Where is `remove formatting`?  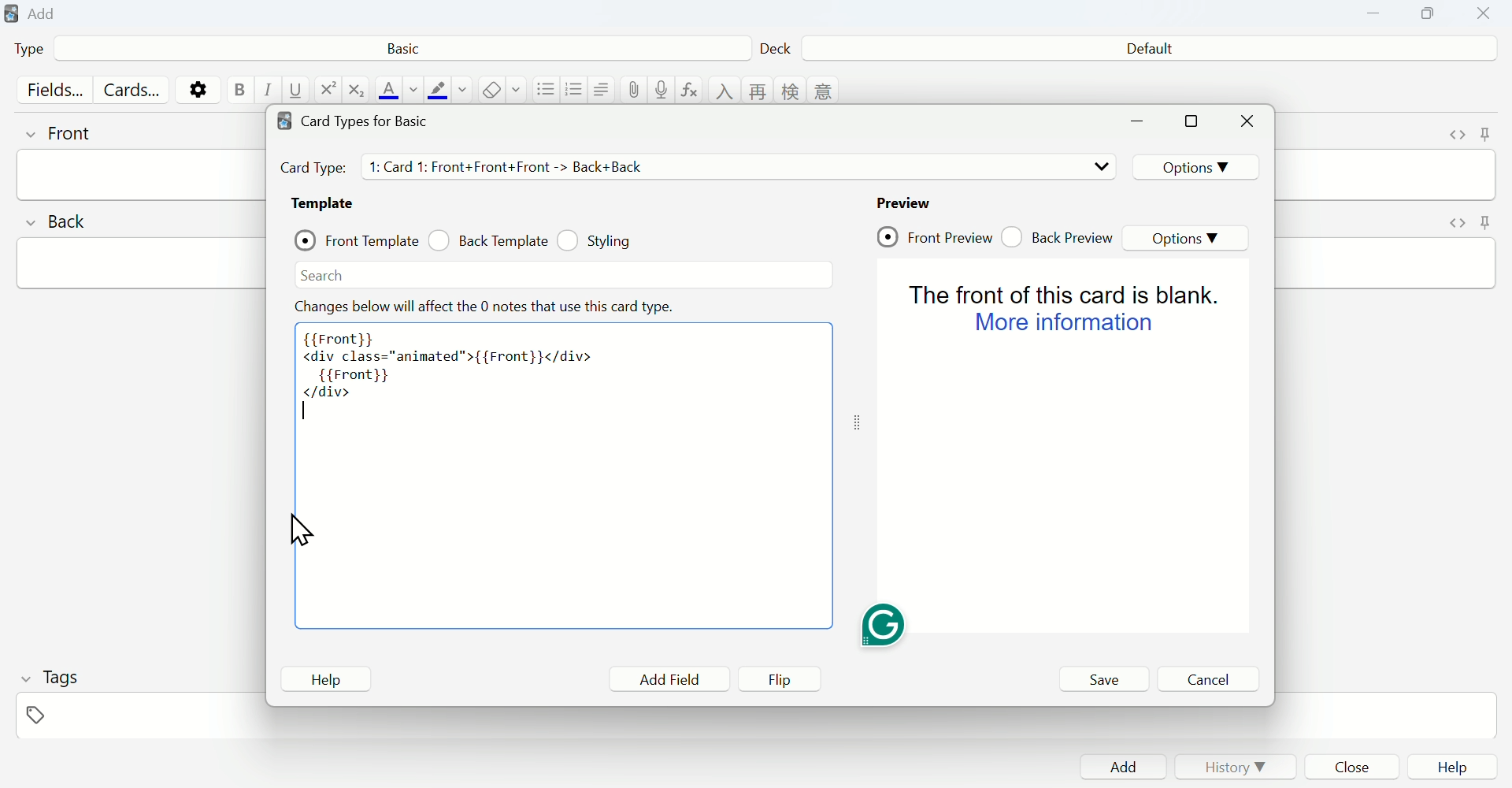
remove formatting is located at coordinates (493, 90).